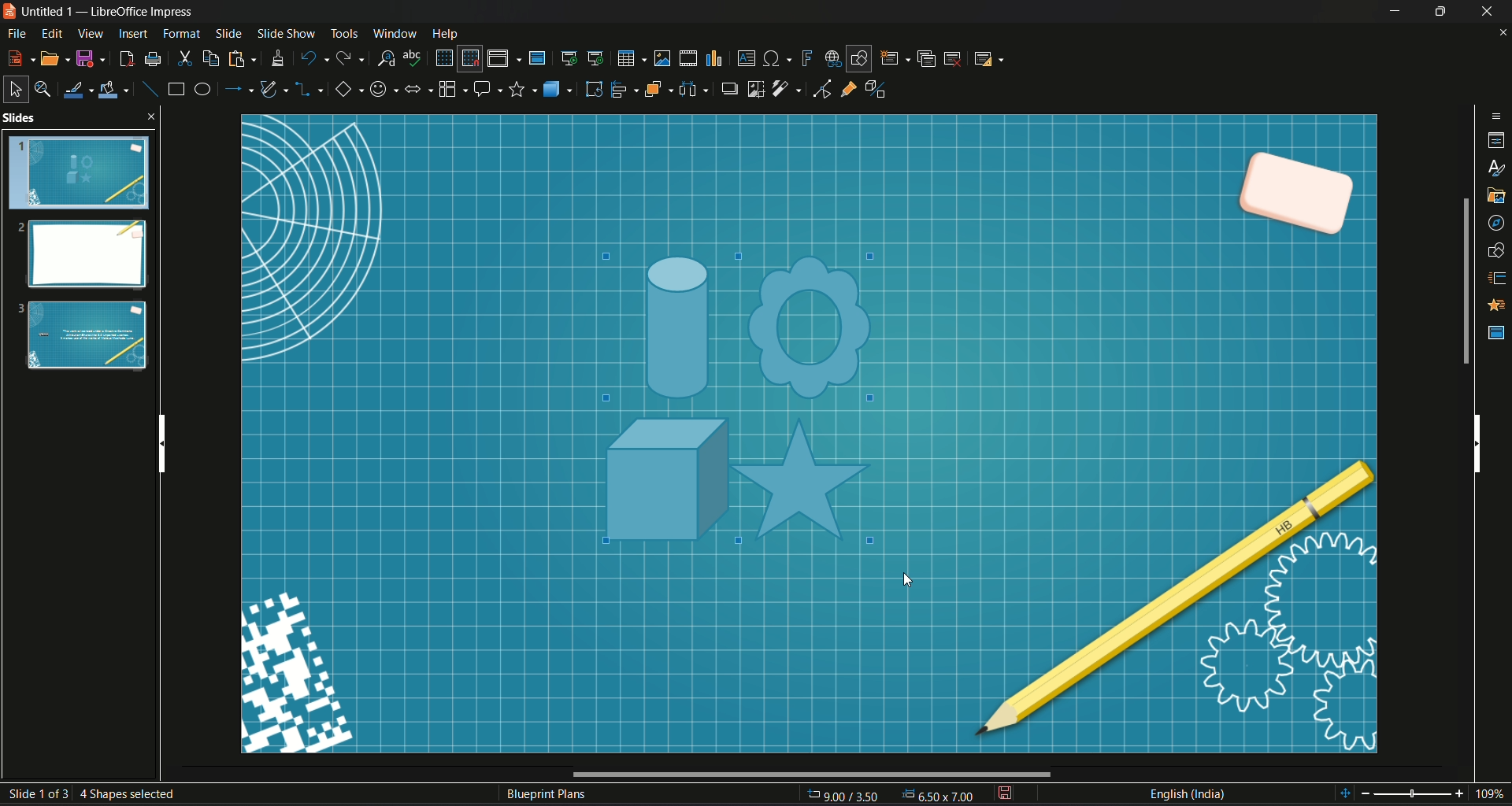 The image size is (1512, 806). What do you see at coordinates (624, 89) in the screenshot?
I see `align object` at bounding box center [624, 89].